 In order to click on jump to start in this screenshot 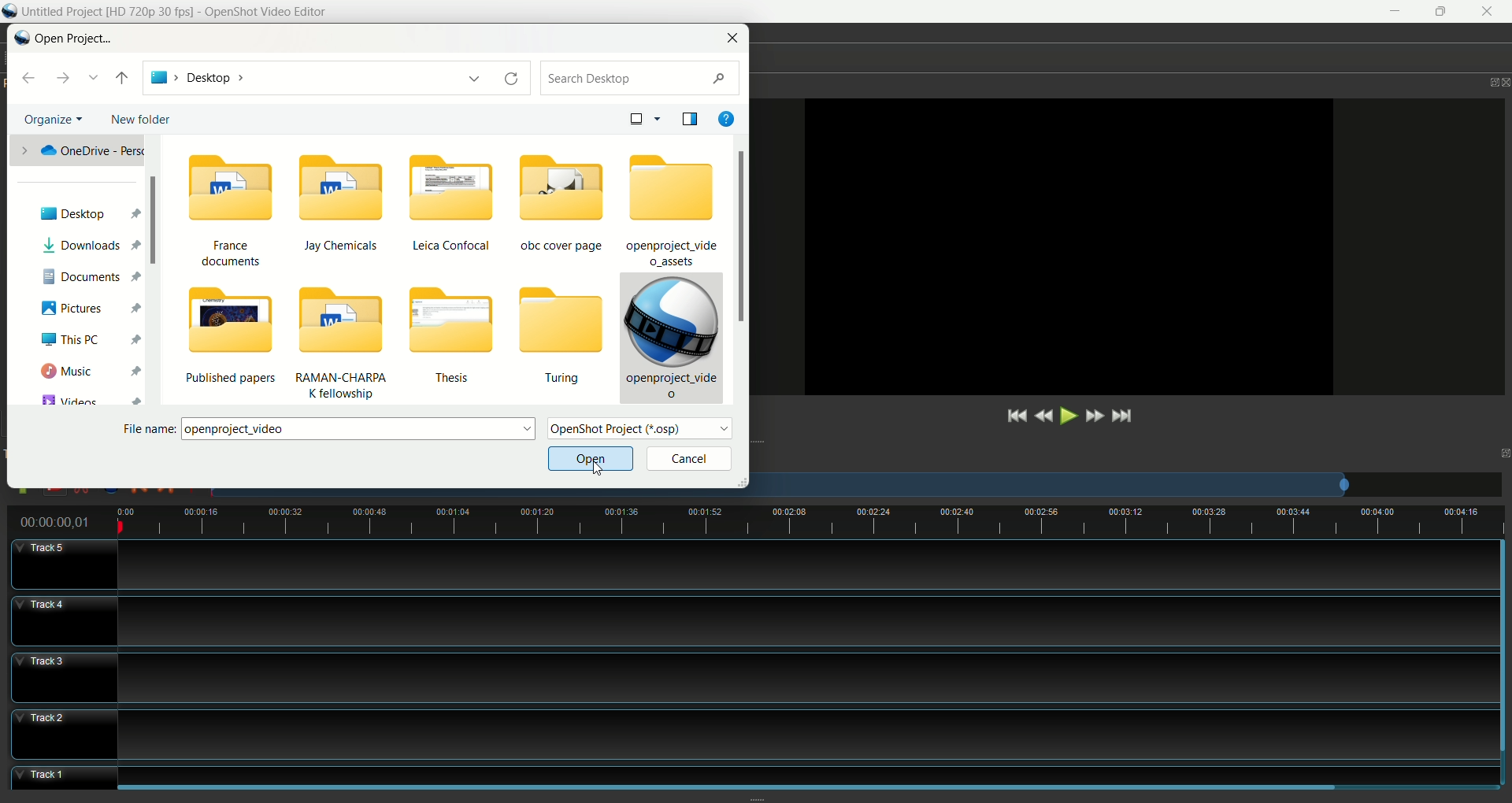, I will do `click(1014, 417)`.